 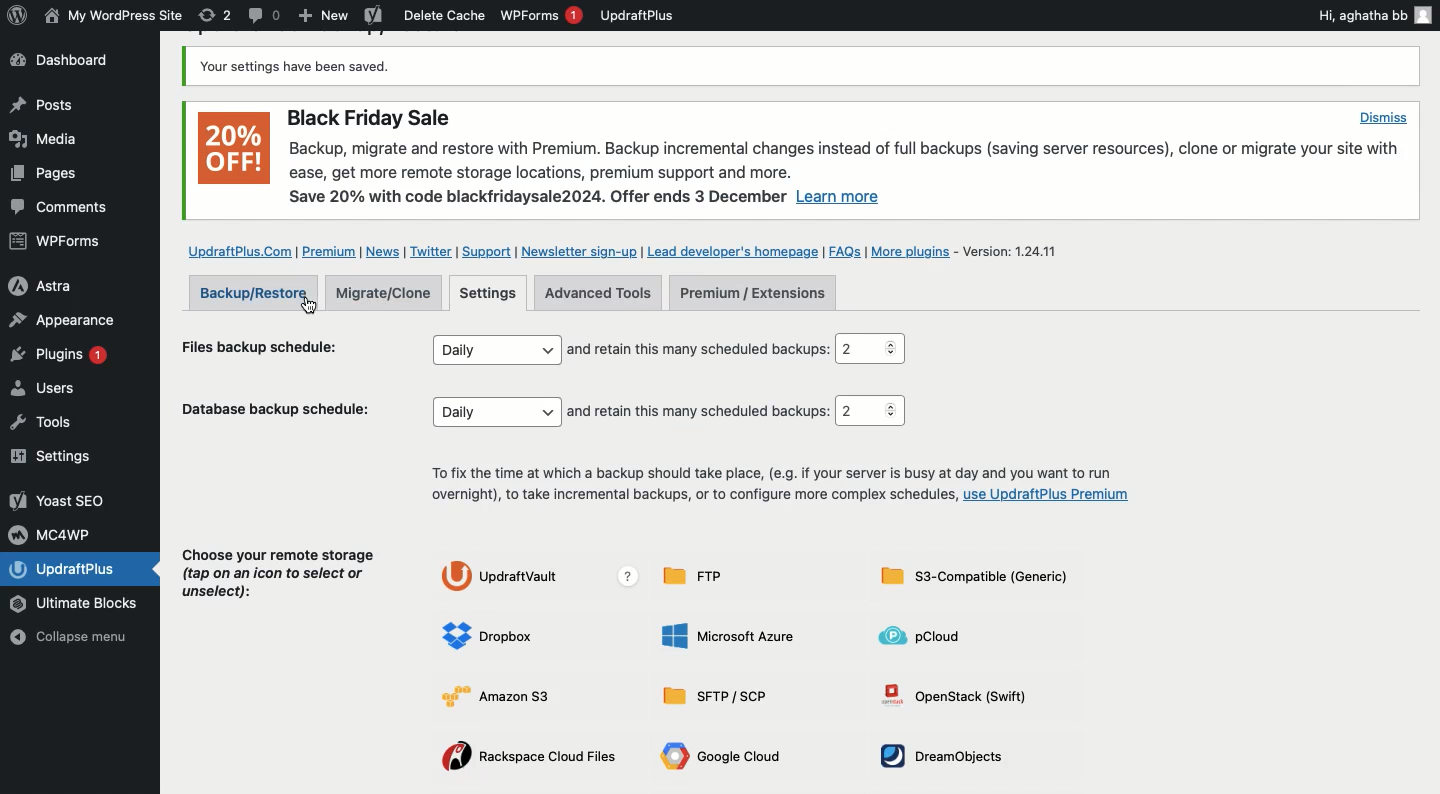 I want to click on Newsletter sign up, so click(x=580, y=250).